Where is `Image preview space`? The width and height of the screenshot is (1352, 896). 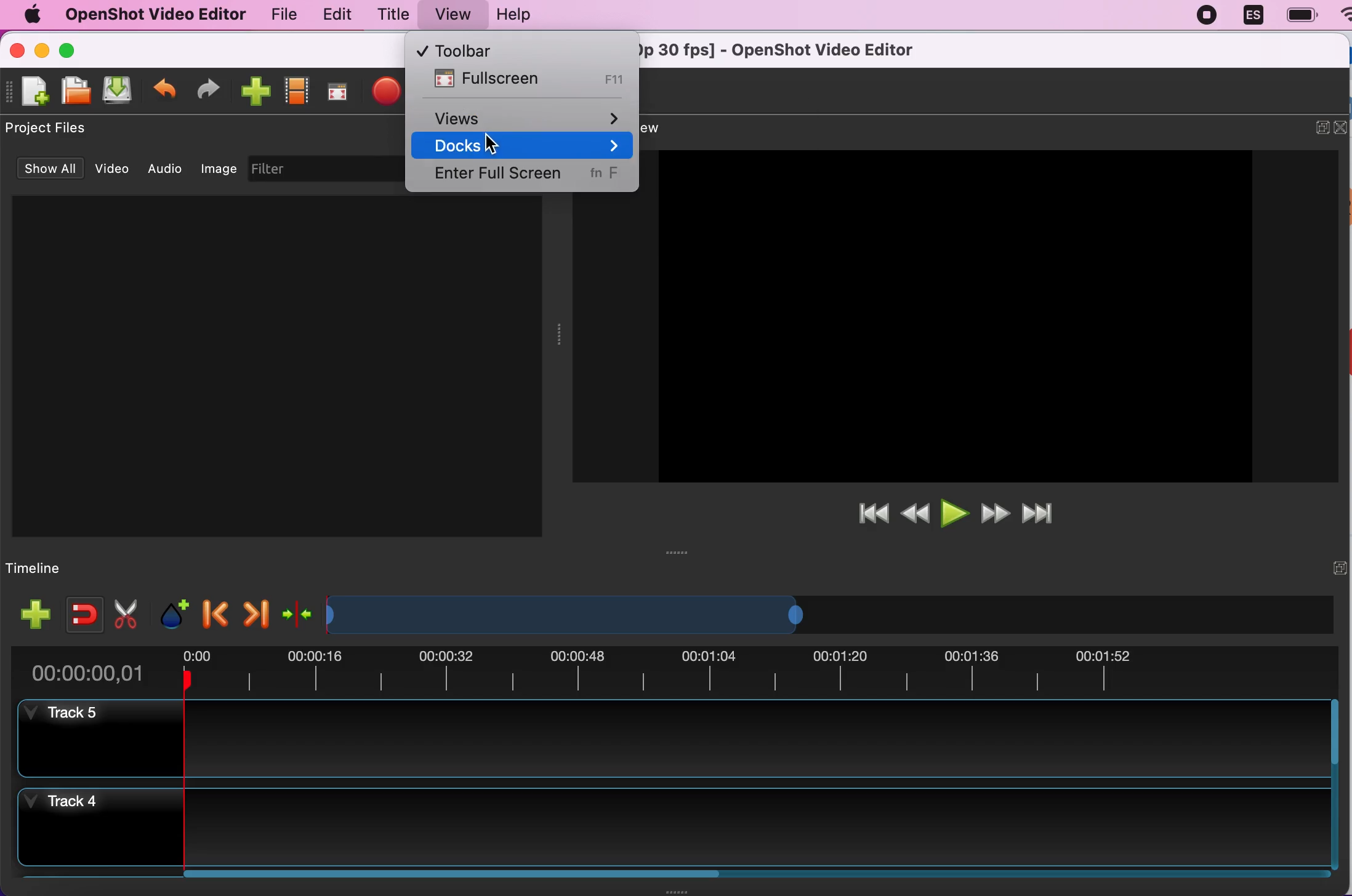 Image preview space is located at coordinates (952, 316).